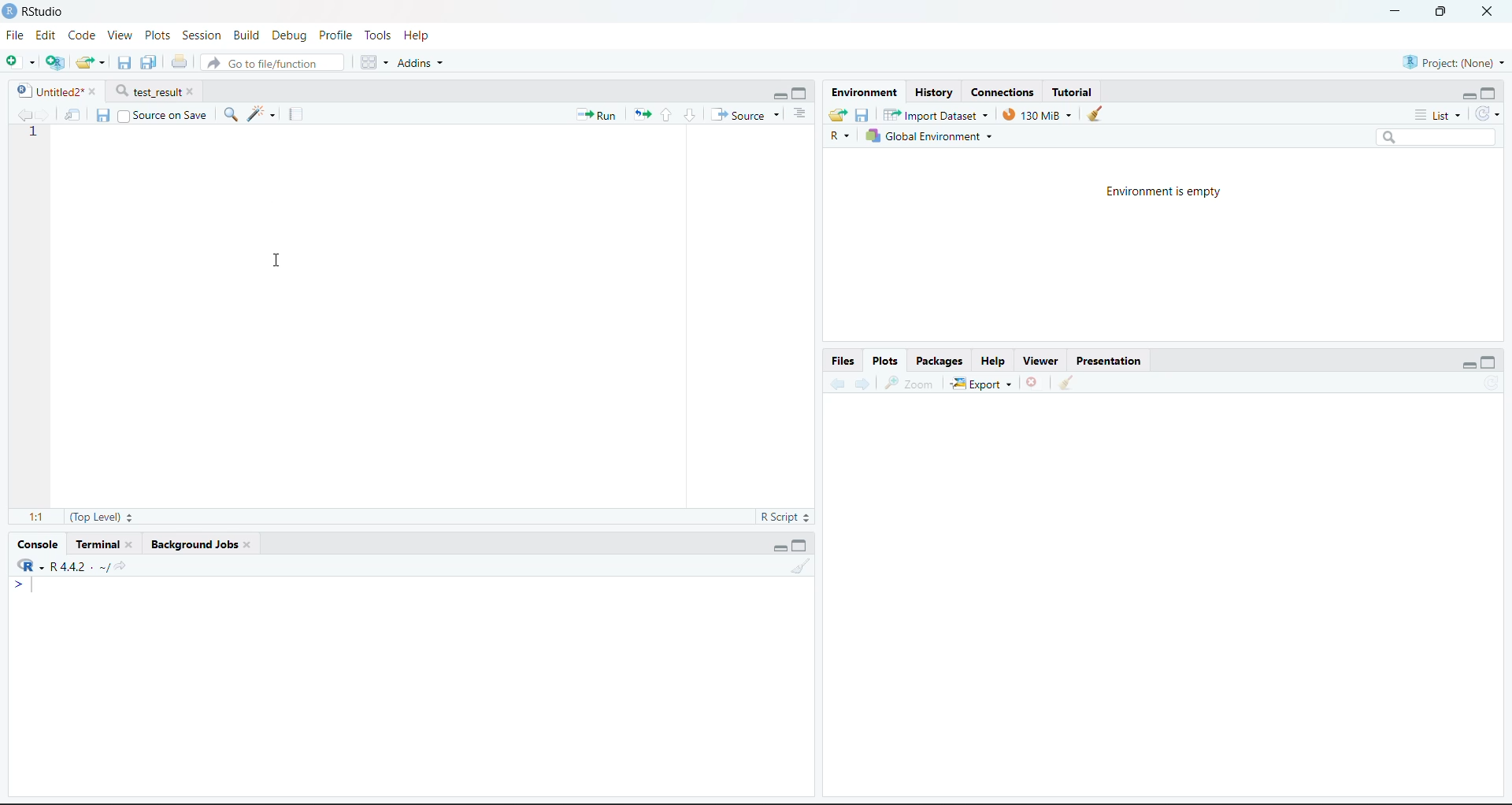  I want to click on Source, so click(744, 114).